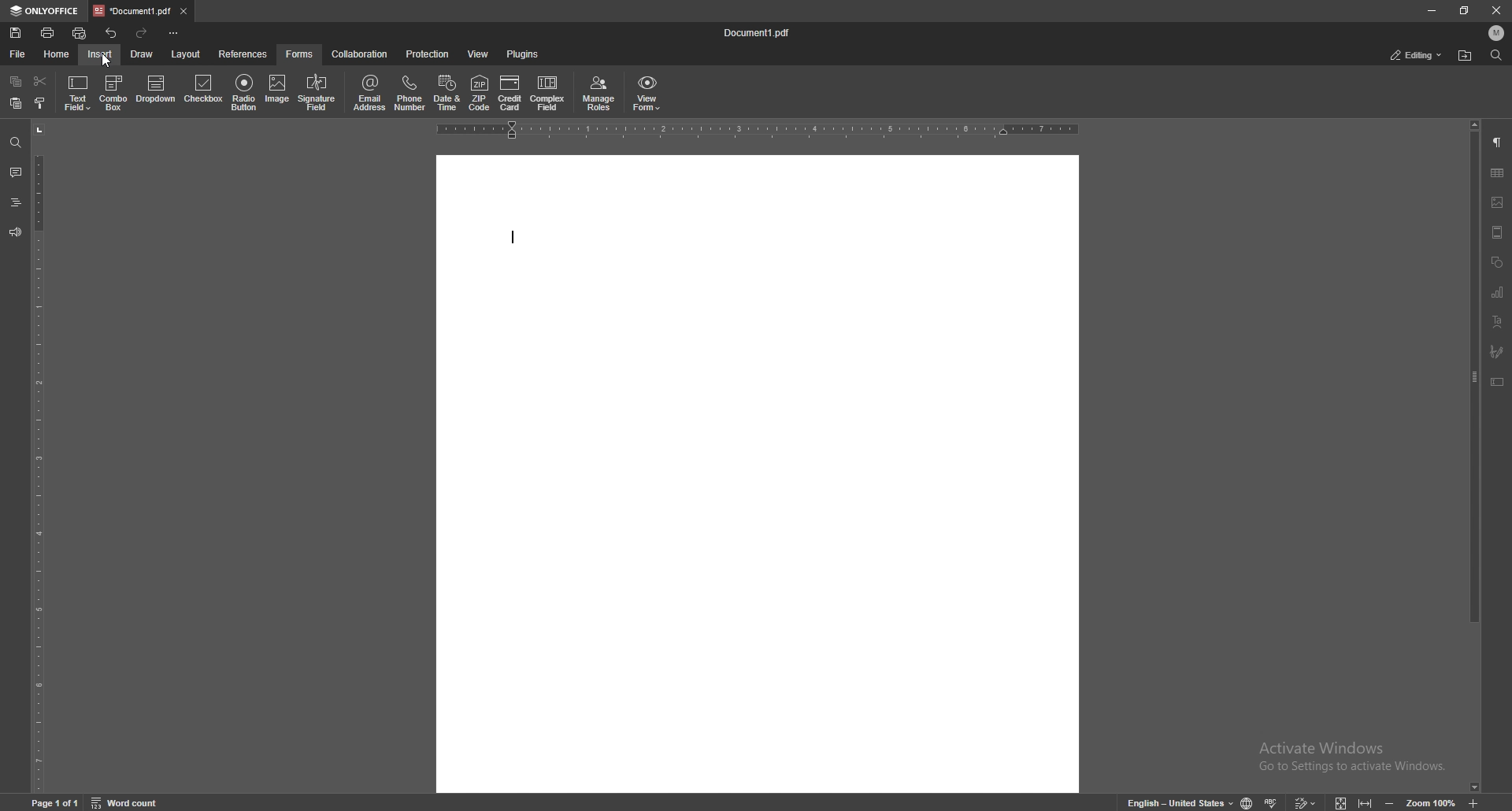 Image resolution: width=1512 pixels, height=811 pixels. Describe the element at coordinates (447, 92) in the screenshot. I see `date and time` at that location.